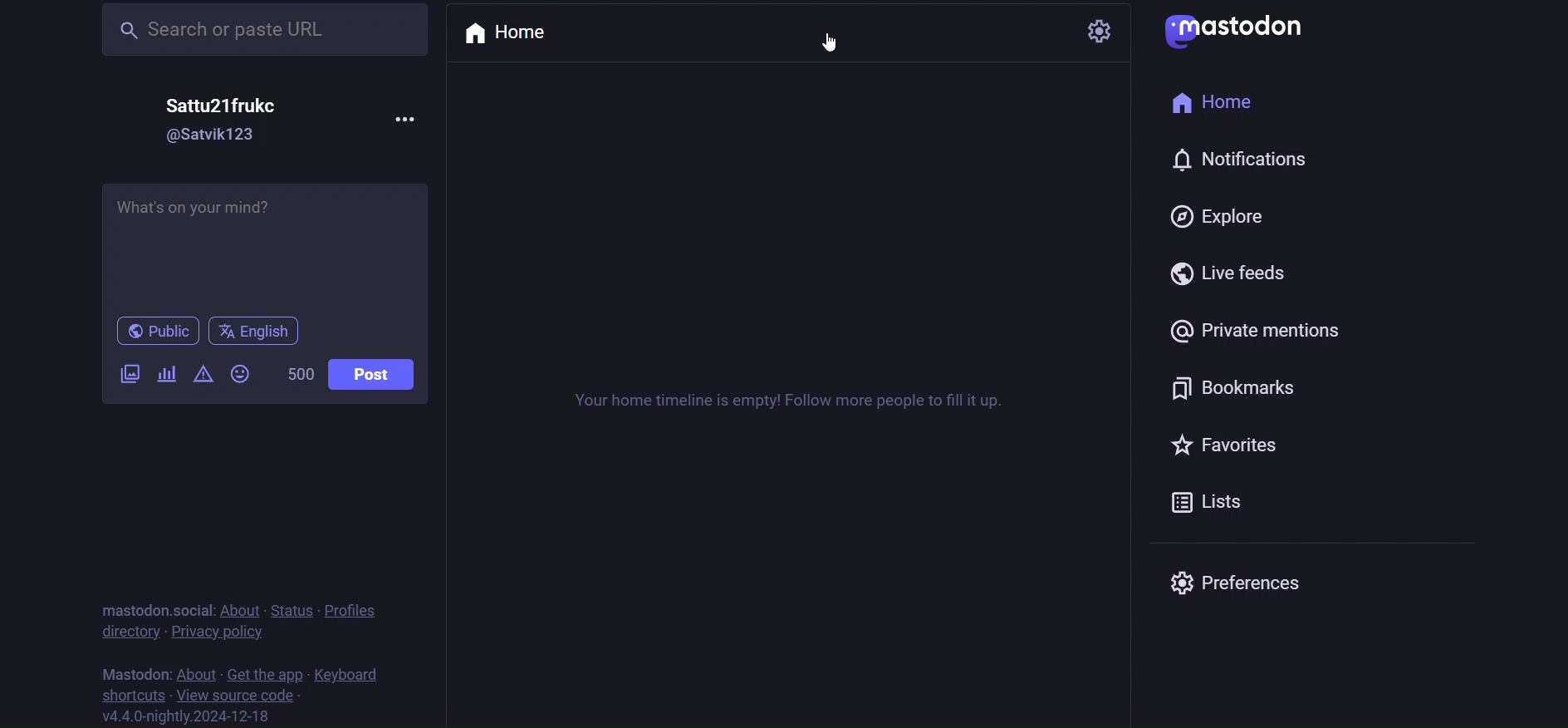 This screenshot has width=1568, height=728. I want to click on profiles, so click(350, 611).